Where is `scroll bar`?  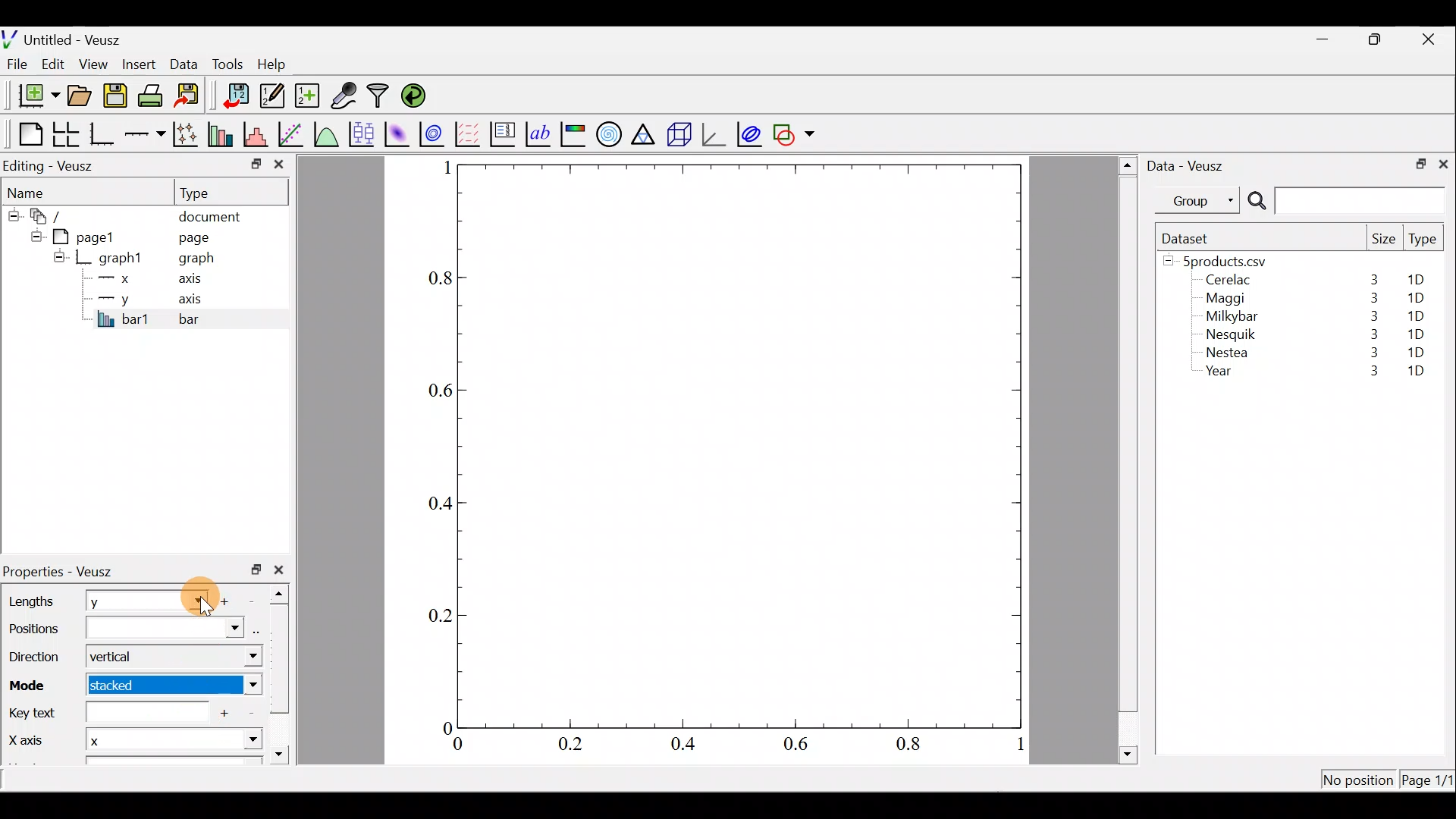 scroll bar is located at coordinates (284, 670).